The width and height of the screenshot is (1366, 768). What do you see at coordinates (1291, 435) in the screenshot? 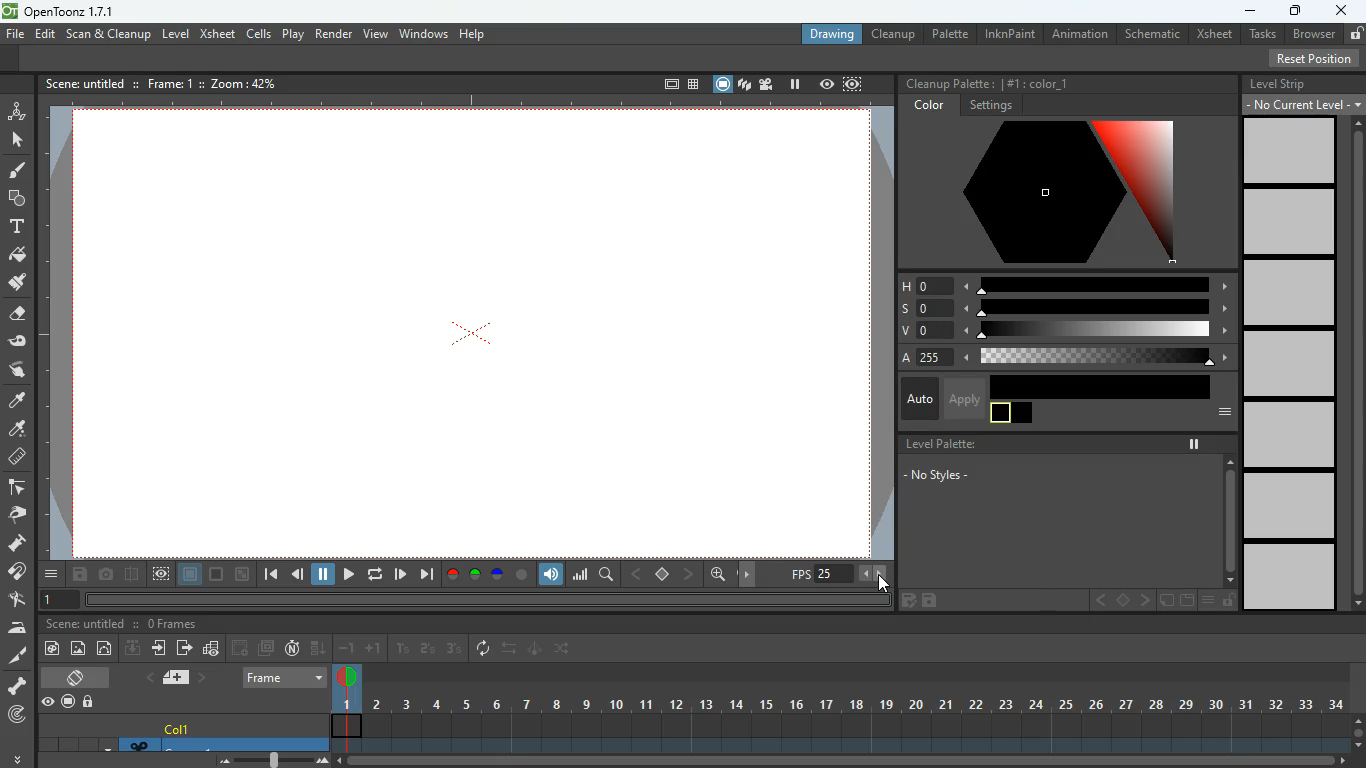
I see `level` at bounding box center [1291, 435].